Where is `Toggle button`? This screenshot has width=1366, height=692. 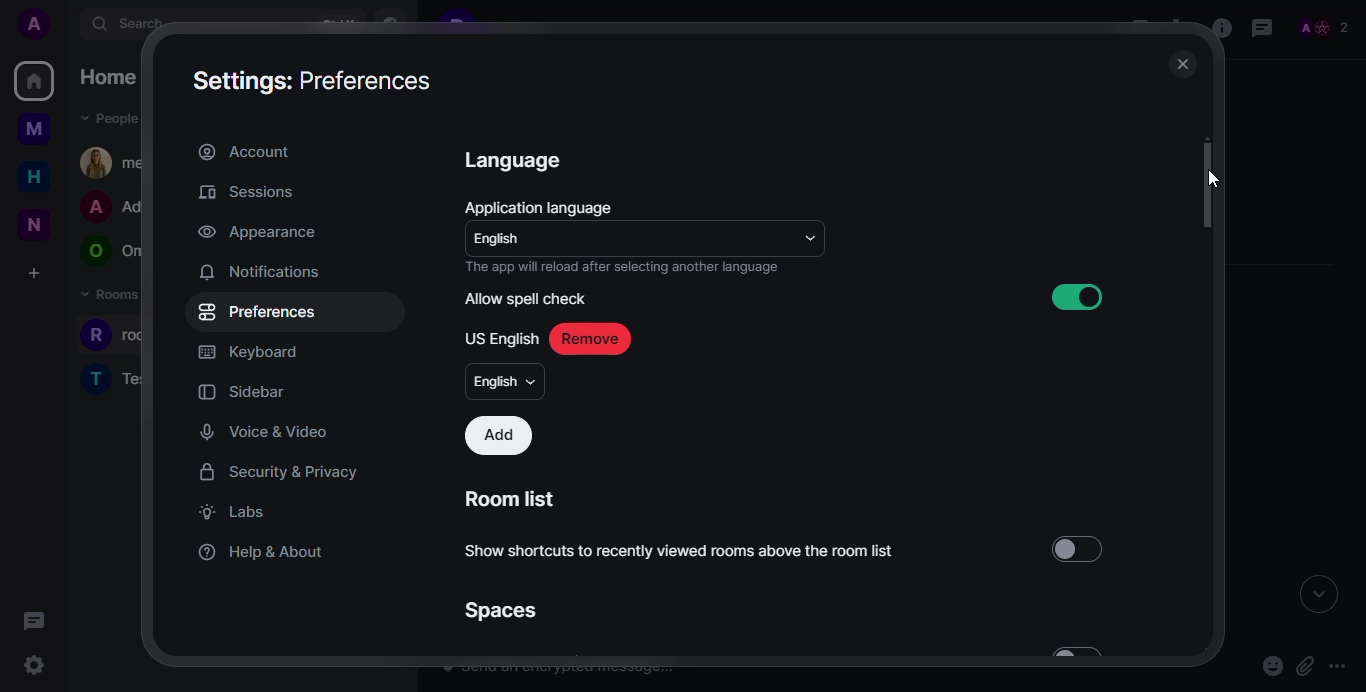 Toggle button is located at coordinates (1100, 653).